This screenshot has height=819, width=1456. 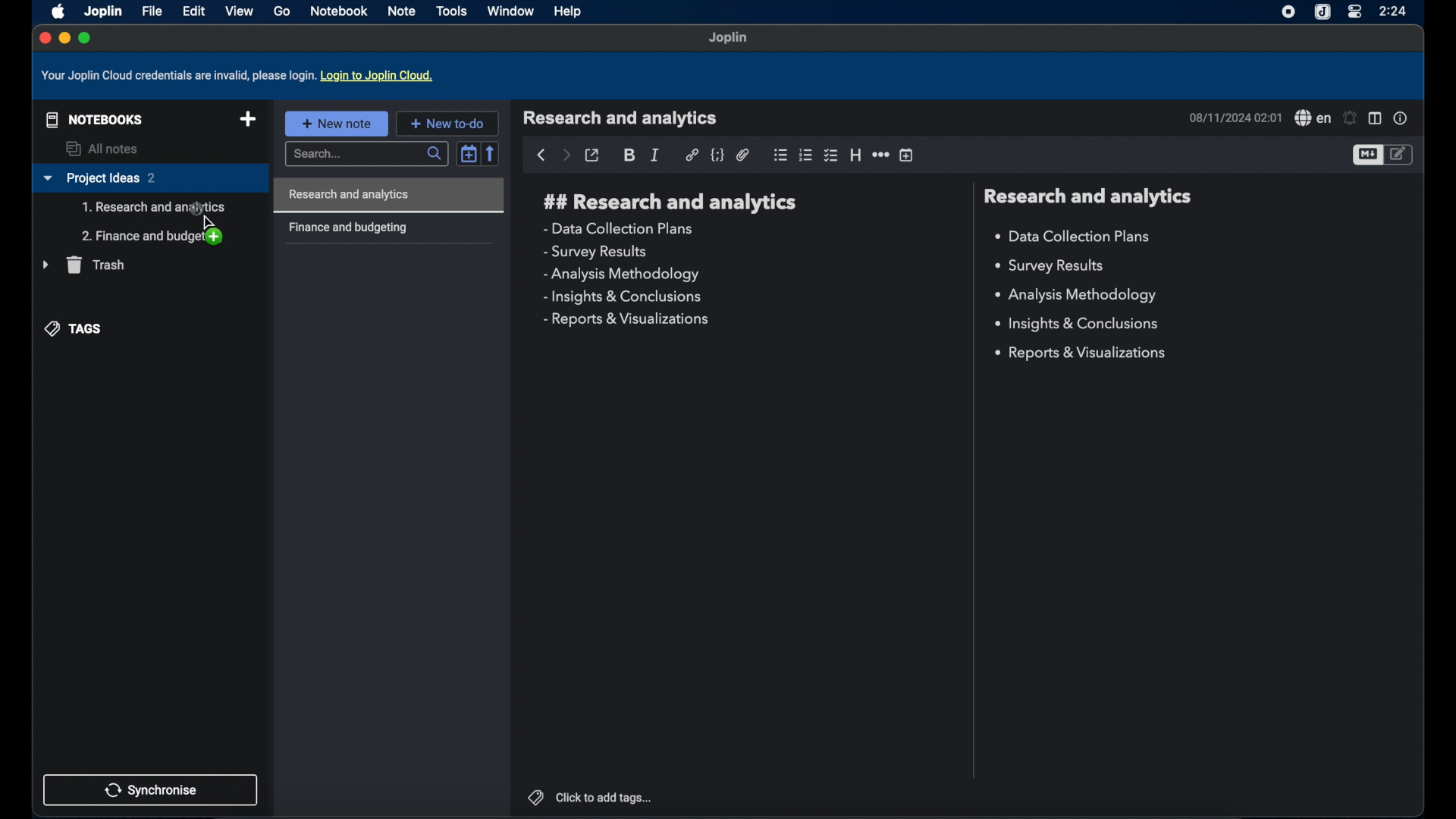 What do you see at coordinates (880, 155) in the screenshot?
I see `horizontal rule` at bounding box center [880, 155].